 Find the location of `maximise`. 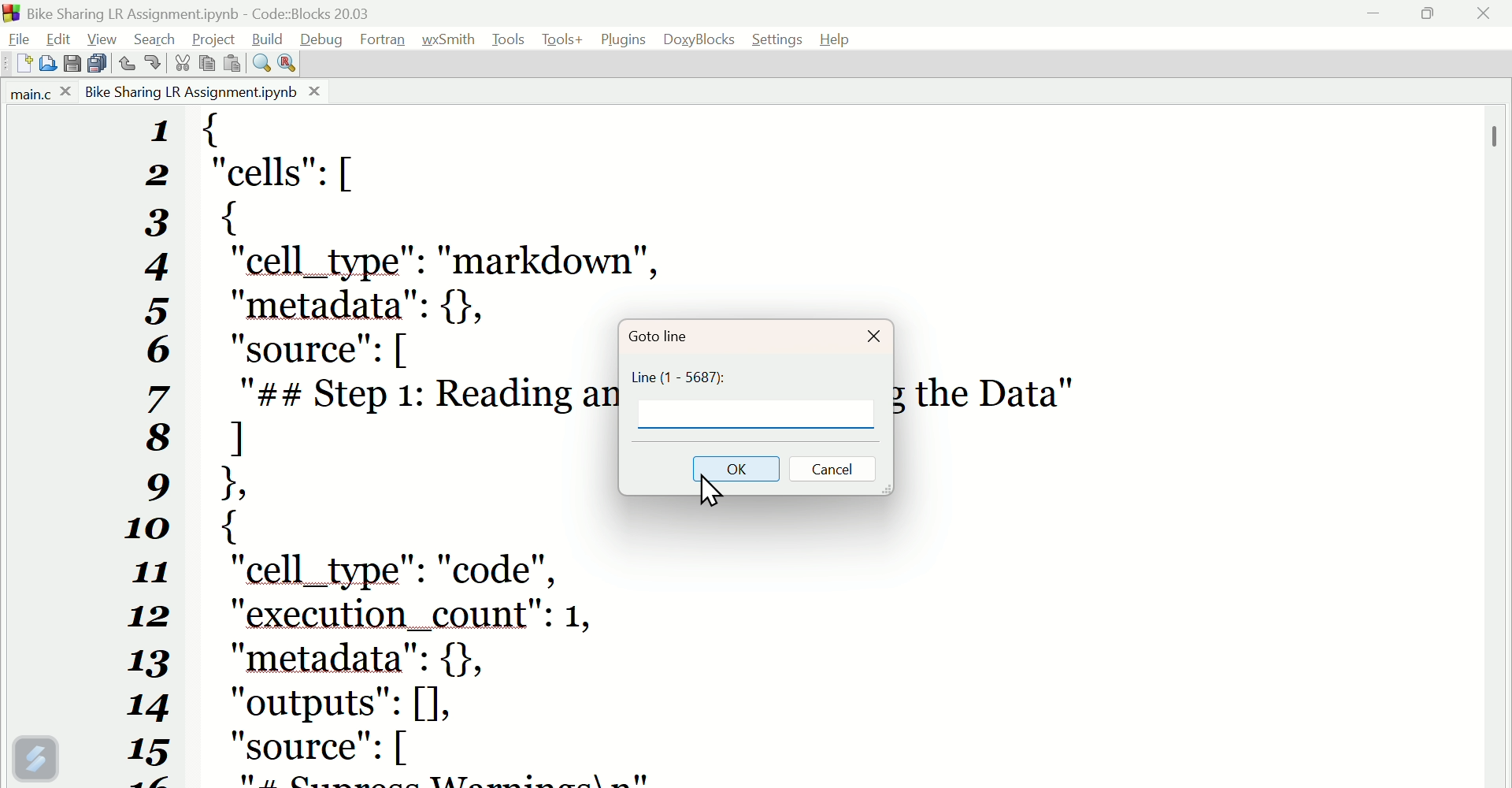

maximise is located at coordinates (1434, 17).